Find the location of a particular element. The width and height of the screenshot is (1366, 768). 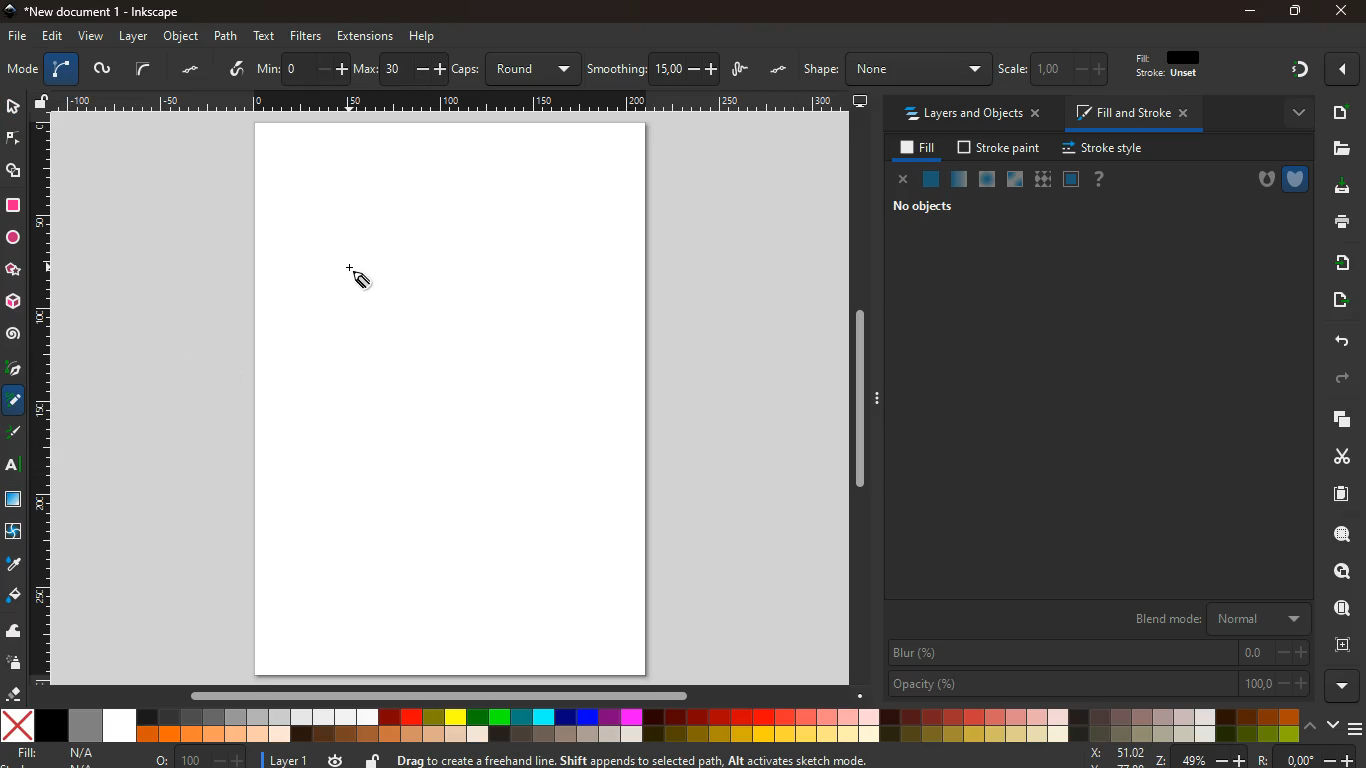

close is located at coordinates (1345, 70).